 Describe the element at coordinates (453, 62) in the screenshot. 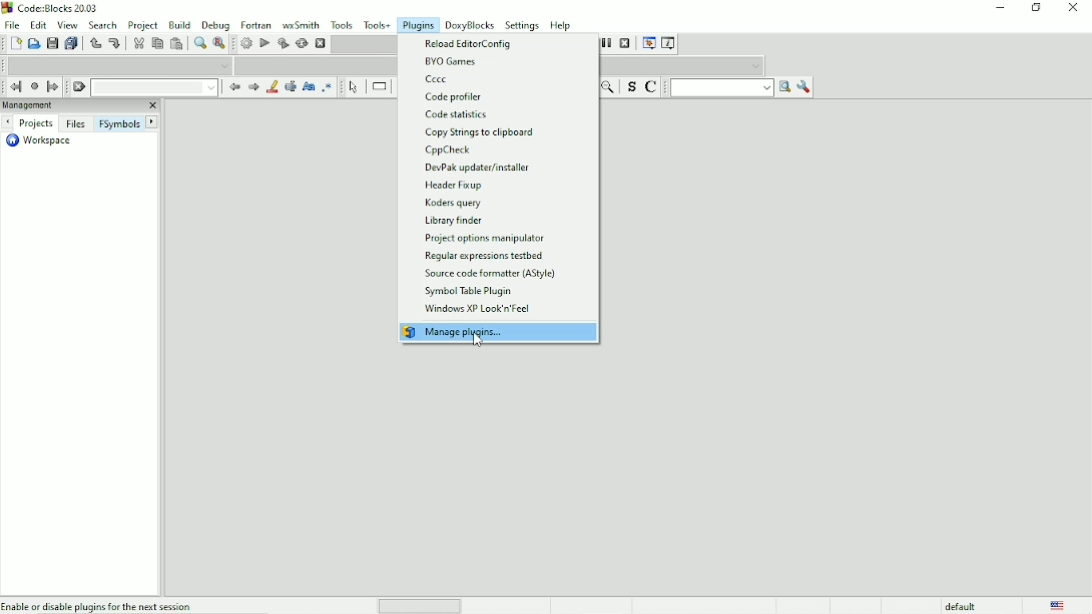

I see `BYO Games` at that location.